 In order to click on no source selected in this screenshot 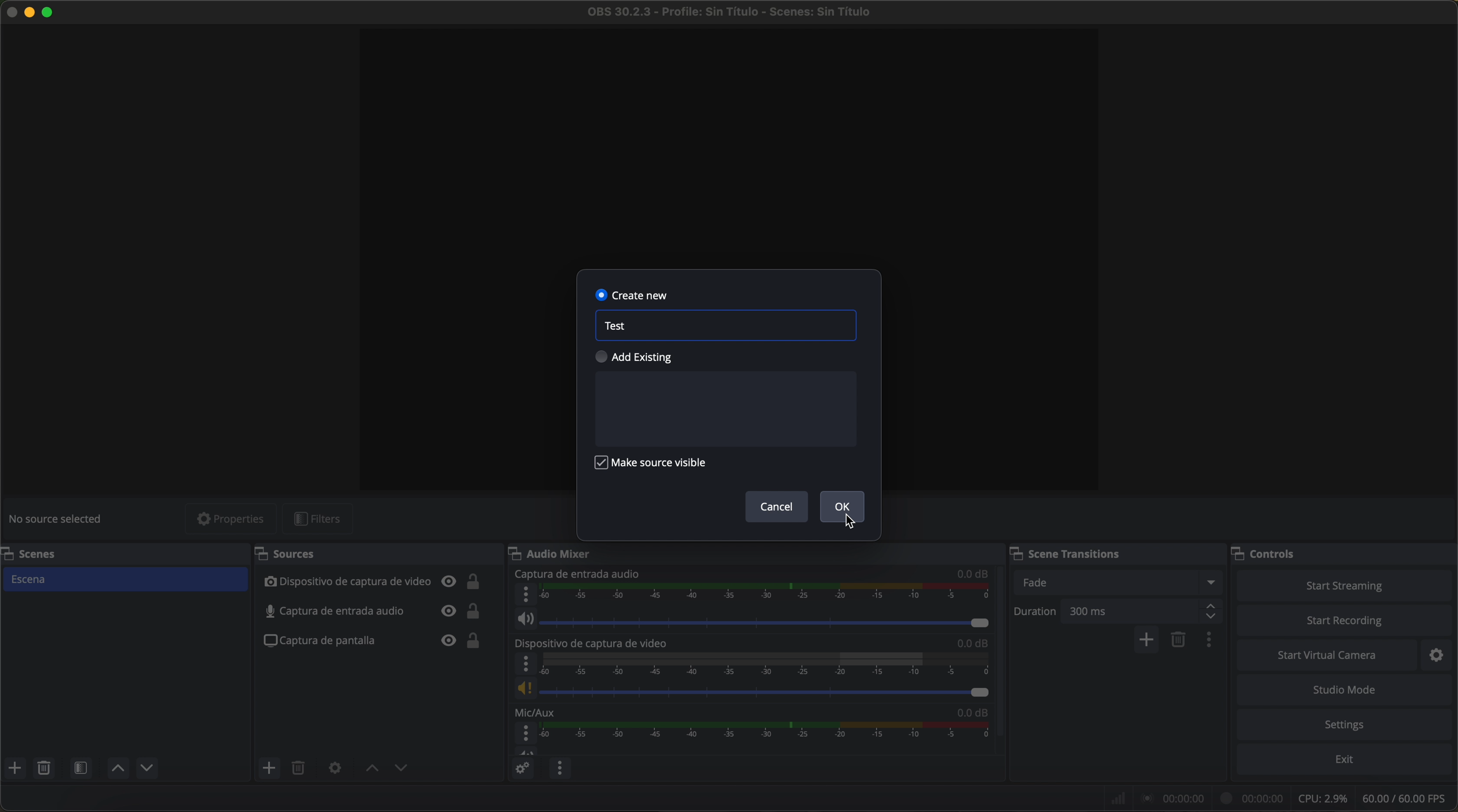, I will do `click(59, 518)`.